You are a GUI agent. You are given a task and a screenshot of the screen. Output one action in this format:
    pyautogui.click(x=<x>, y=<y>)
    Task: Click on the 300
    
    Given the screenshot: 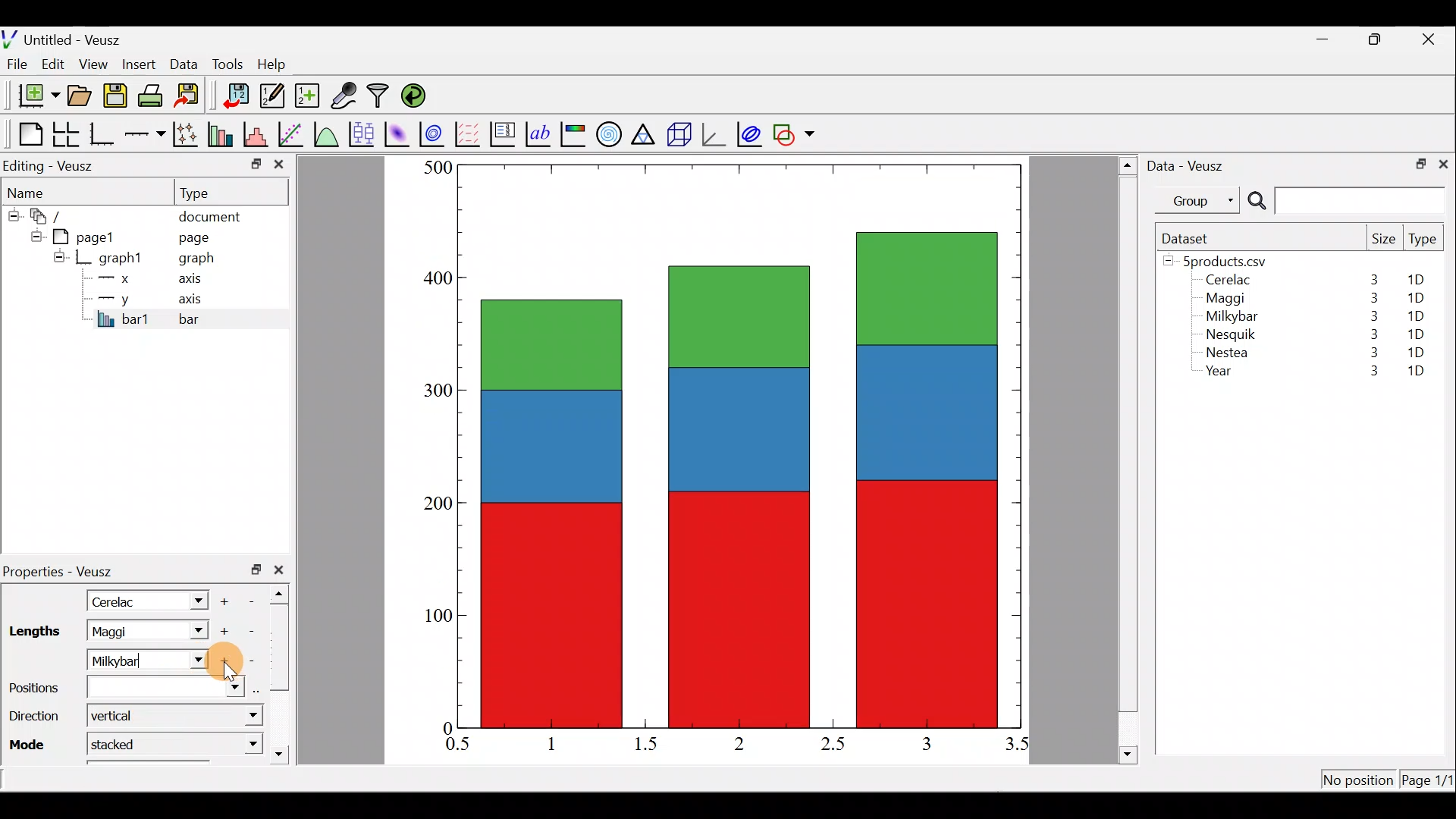 What is the action you would take?
    pyautogui.click(x=433, y=388)
    